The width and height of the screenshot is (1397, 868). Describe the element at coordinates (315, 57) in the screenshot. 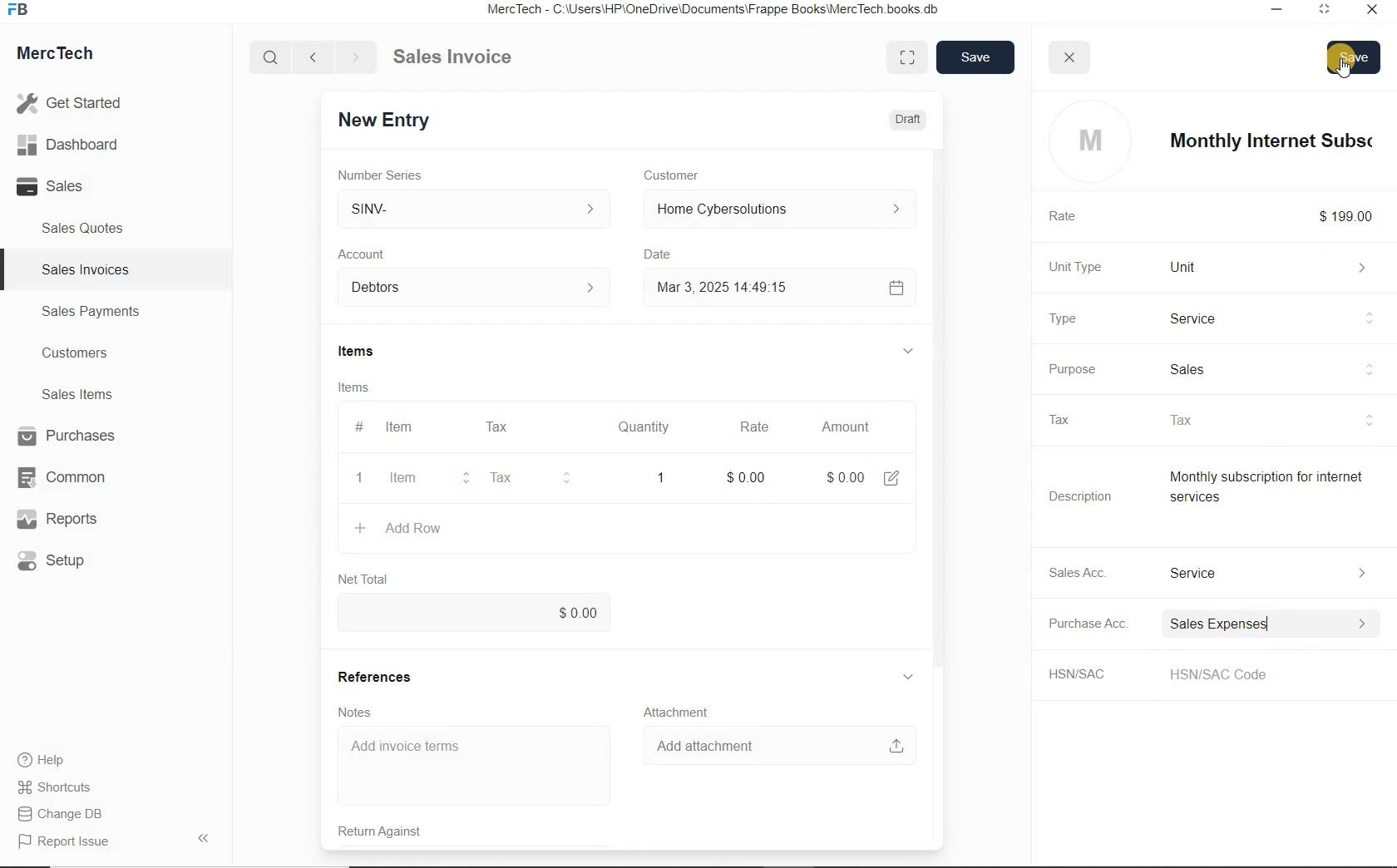

I see `Go back` at that location.